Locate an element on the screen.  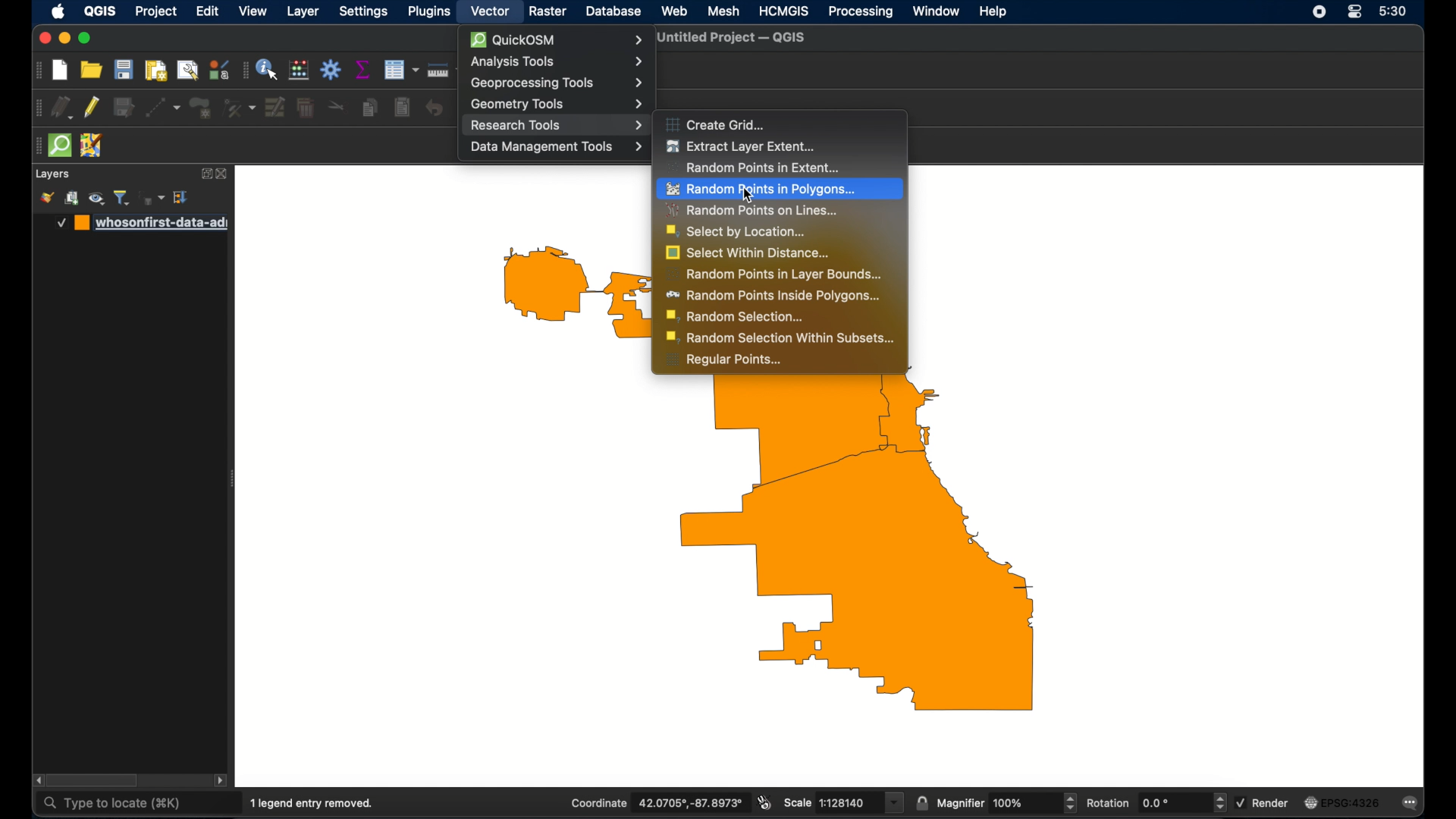
drag handle is located at coordinates (37, 70).